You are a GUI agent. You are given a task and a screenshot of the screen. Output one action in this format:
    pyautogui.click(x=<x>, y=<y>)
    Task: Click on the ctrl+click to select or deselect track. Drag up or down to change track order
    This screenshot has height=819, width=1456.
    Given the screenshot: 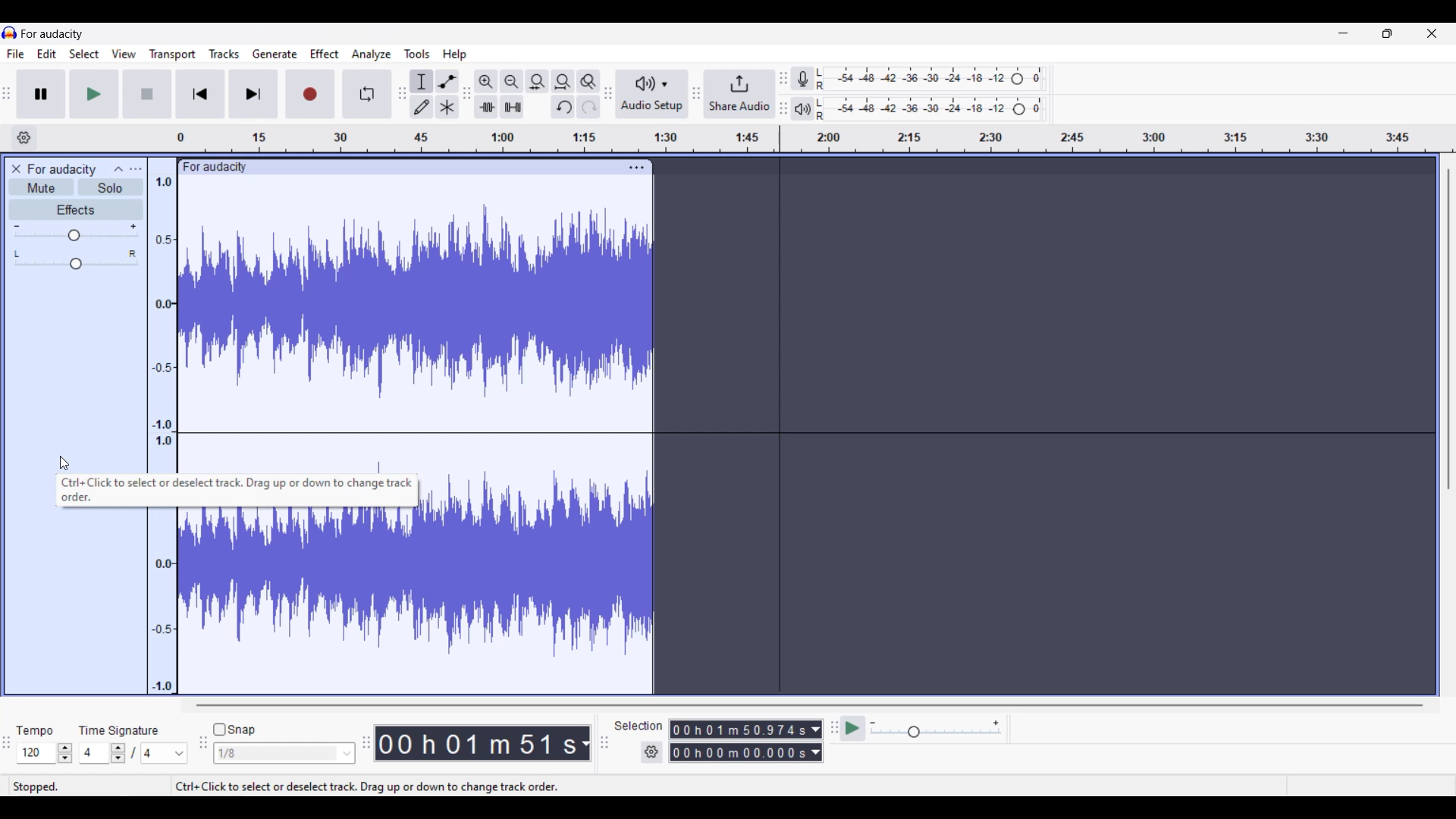 What is the action you would take?
    pyautogui.click(x=366, y=785)
    